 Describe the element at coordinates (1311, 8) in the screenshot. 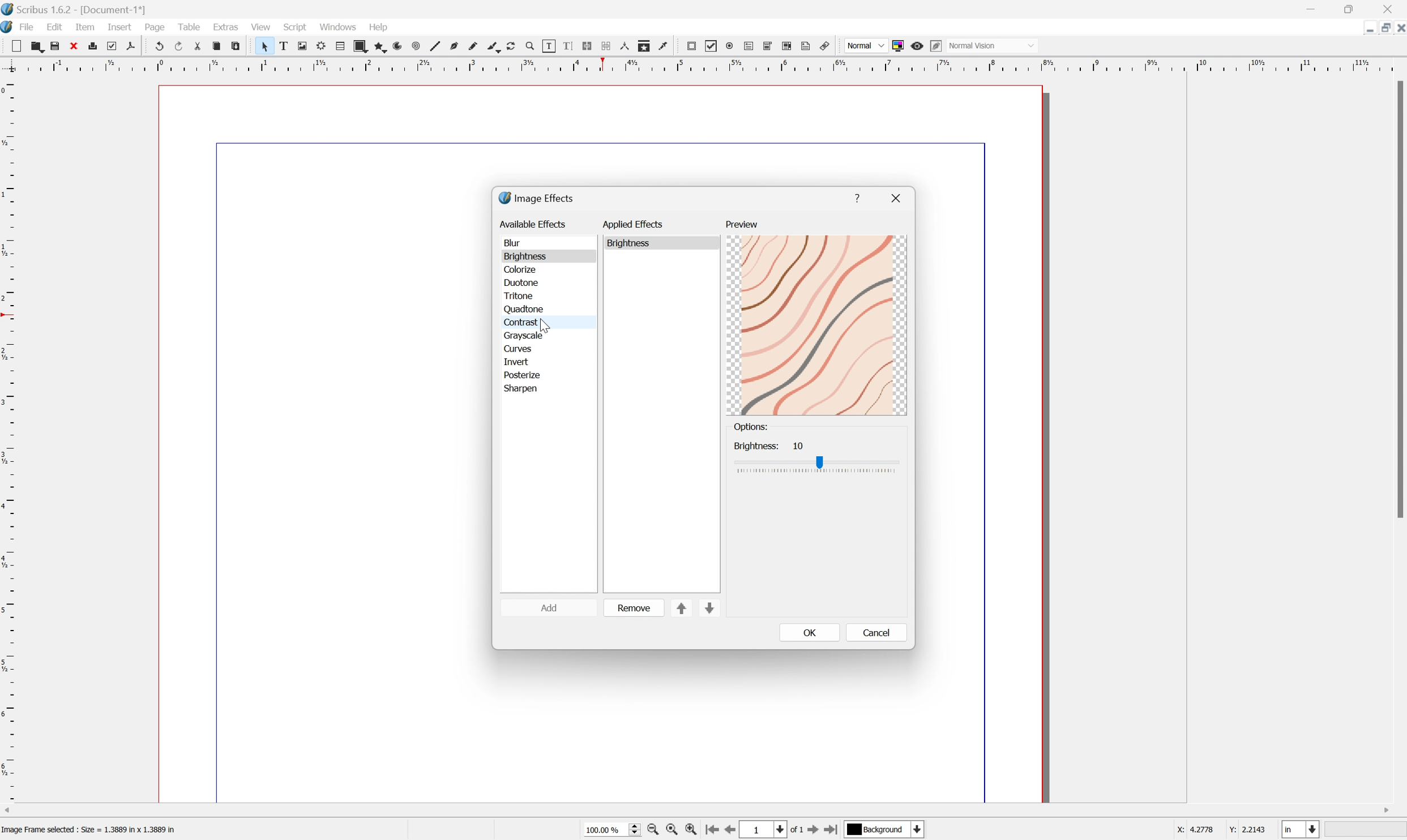

I see `Minimize` at that location.